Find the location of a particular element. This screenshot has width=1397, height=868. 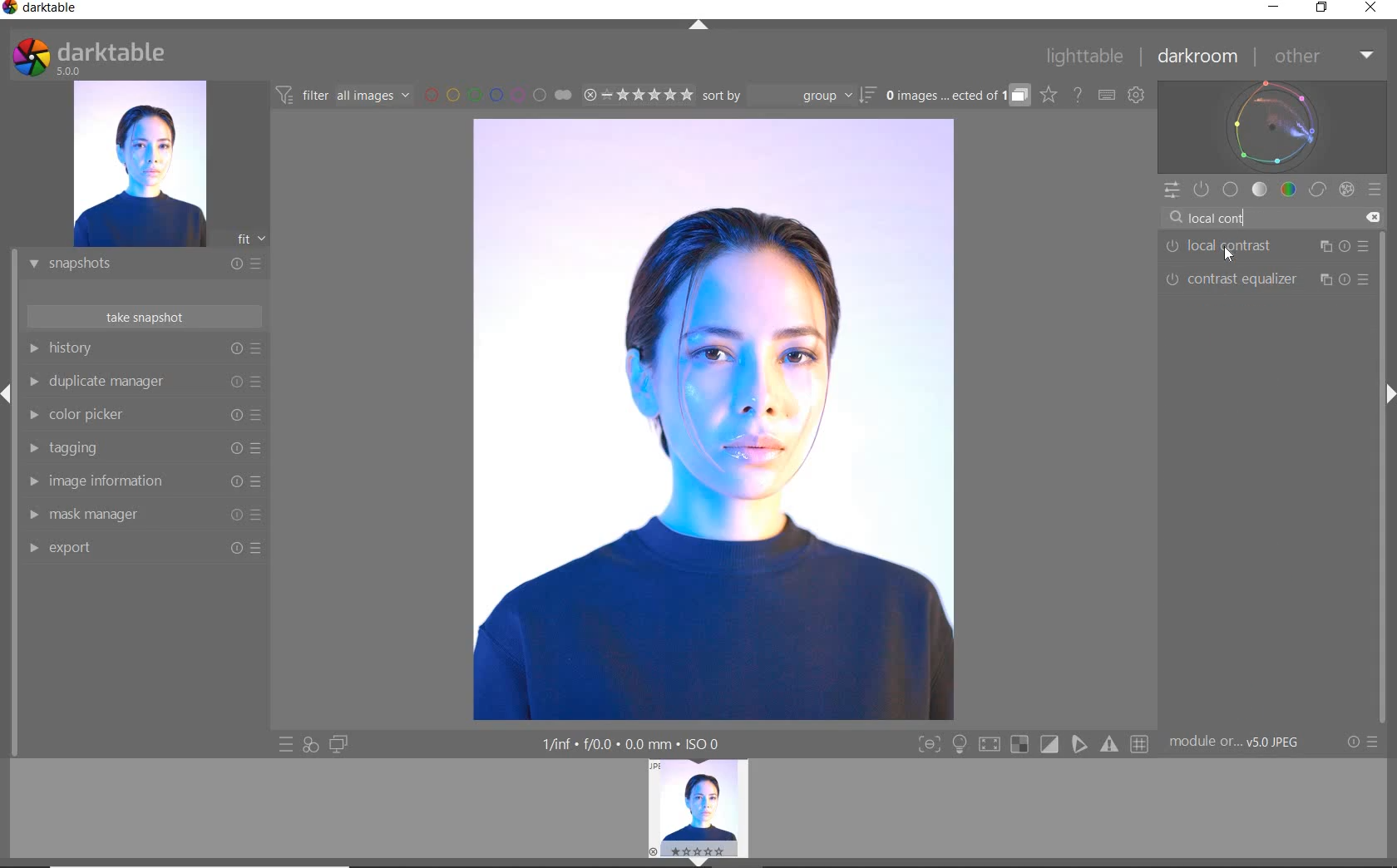

Button is located at coordinates (1050, 745).